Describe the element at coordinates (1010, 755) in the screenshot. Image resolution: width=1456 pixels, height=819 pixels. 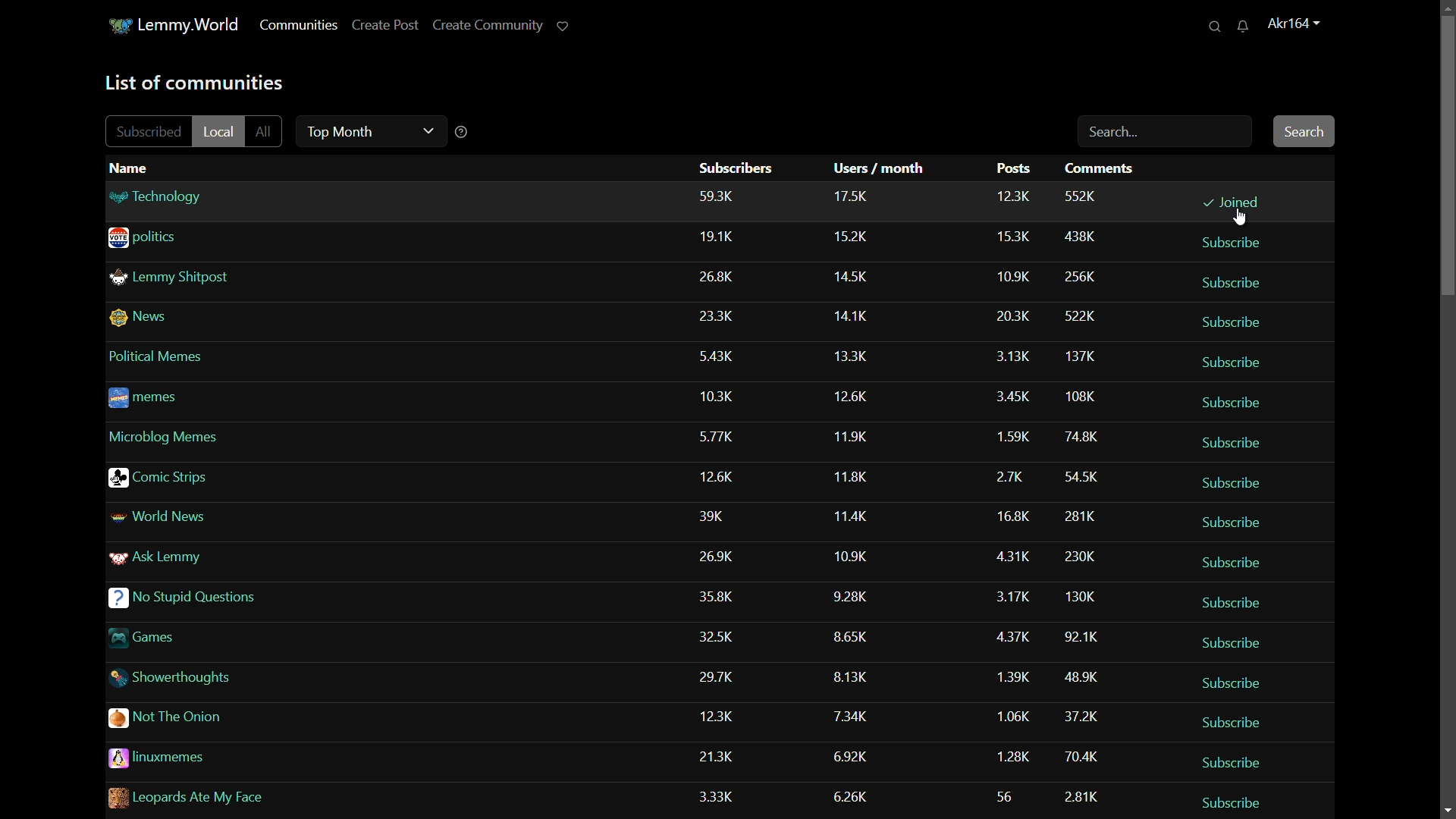
I see `posts` at that location.